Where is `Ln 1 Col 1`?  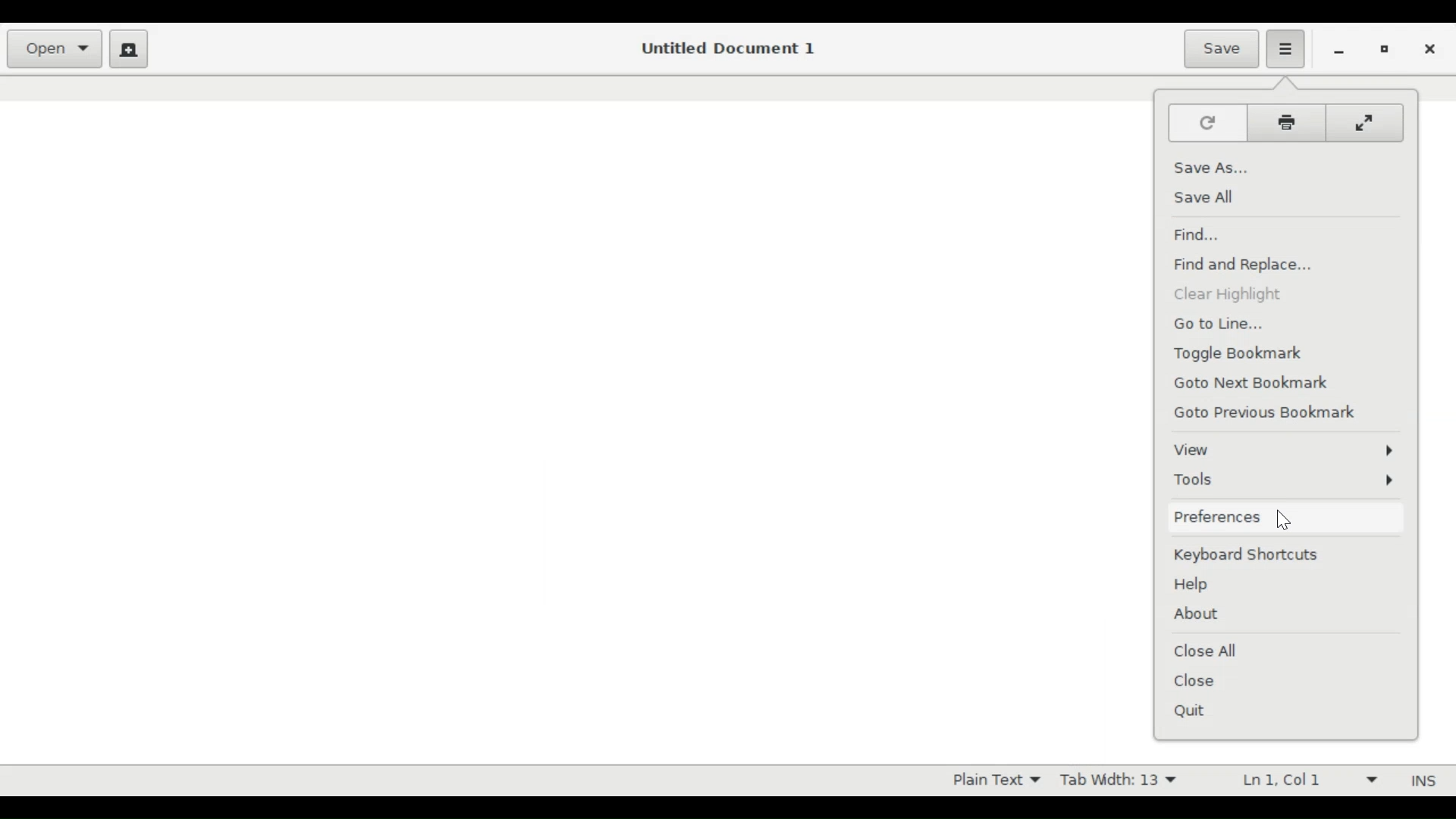
Ln 1 Col 1 is located at coordinates (1308, 781).